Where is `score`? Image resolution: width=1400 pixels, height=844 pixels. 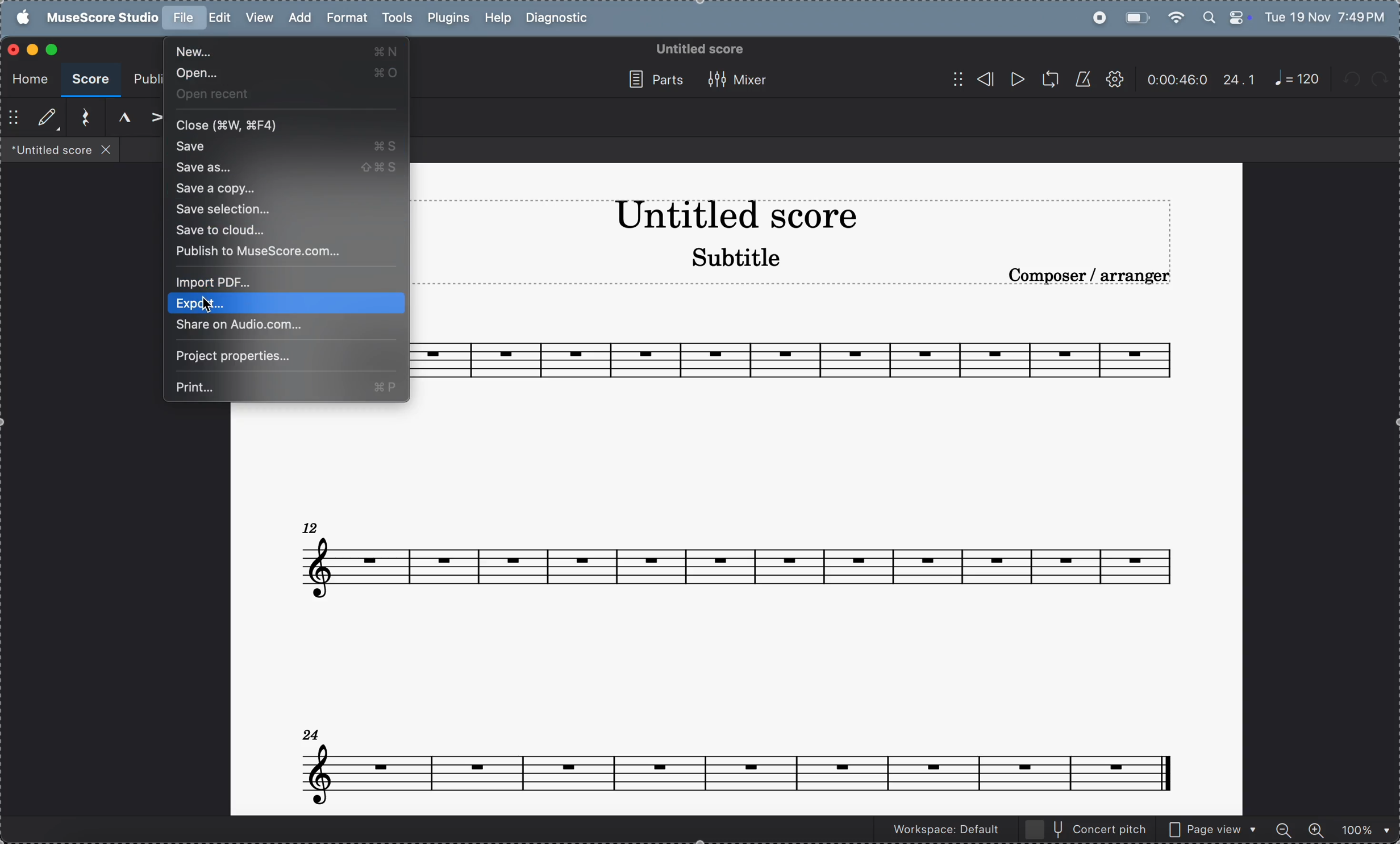
score is located at coordinates (90, 80).